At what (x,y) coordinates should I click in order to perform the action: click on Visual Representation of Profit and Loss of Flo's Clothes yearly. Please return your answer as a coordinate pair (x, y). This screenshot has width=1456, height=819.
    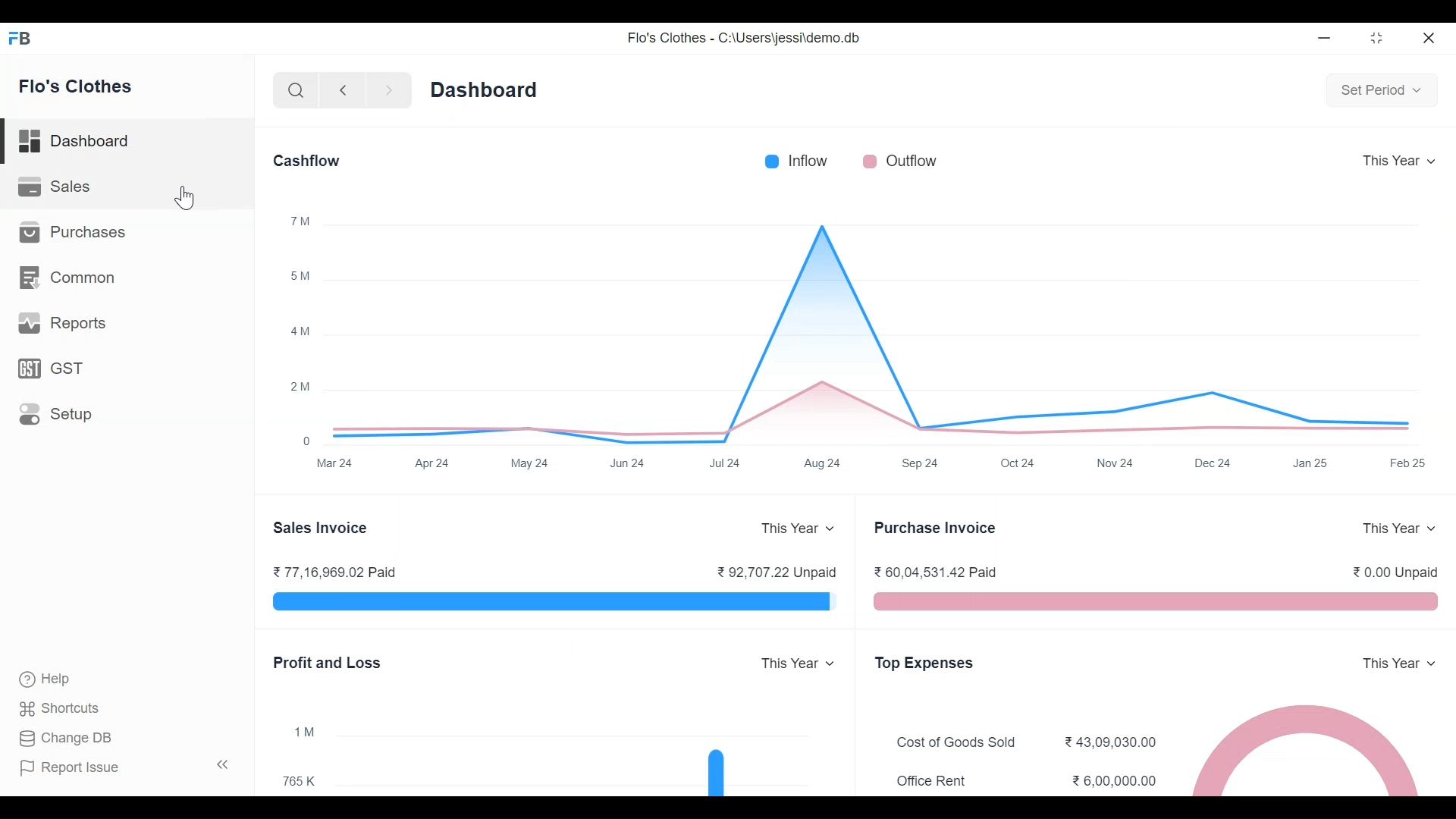
    Looking at the image, I should click on (594, 759).